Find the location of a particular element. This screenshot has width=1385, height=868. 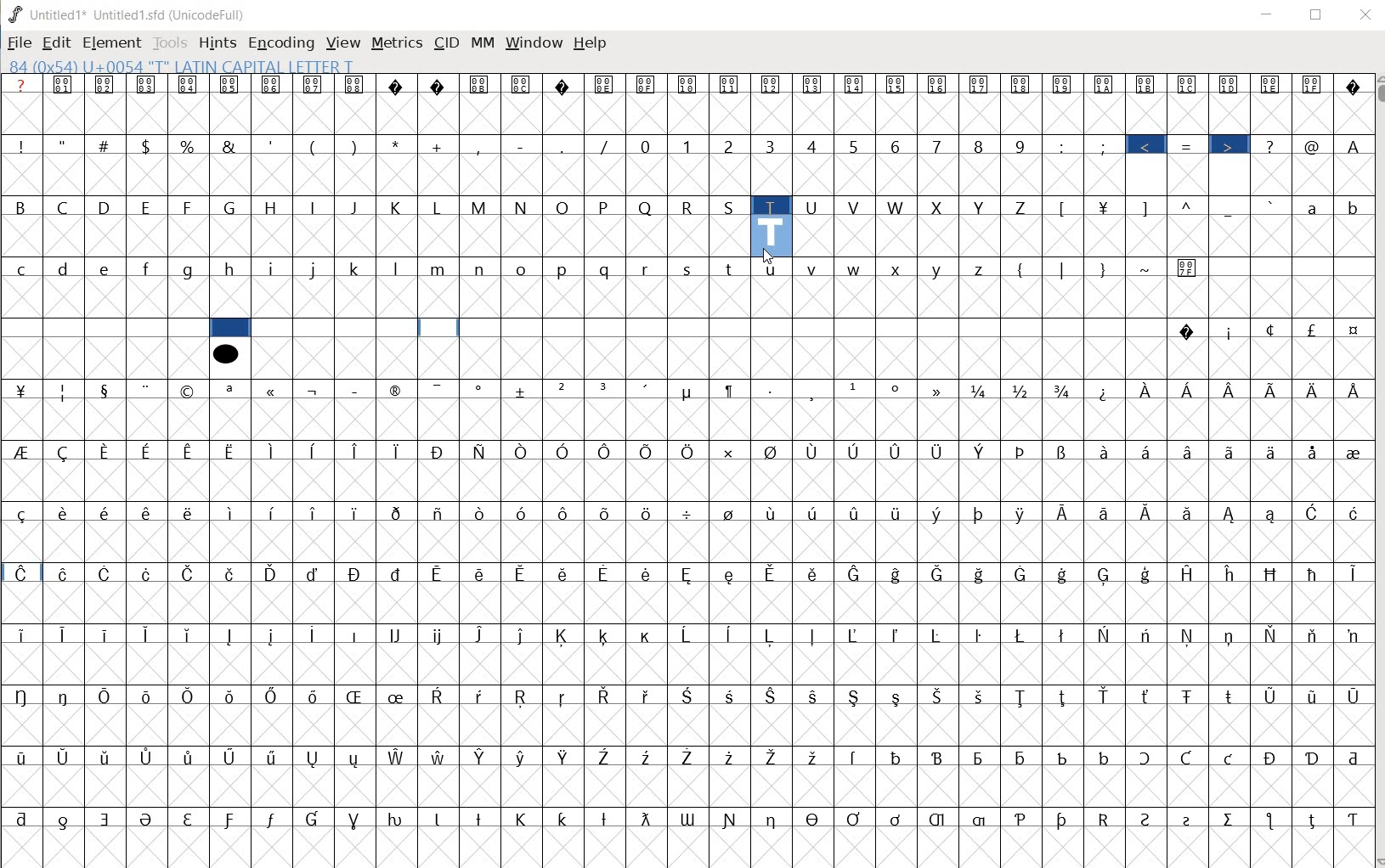

D is located at coordinates (108, 208).